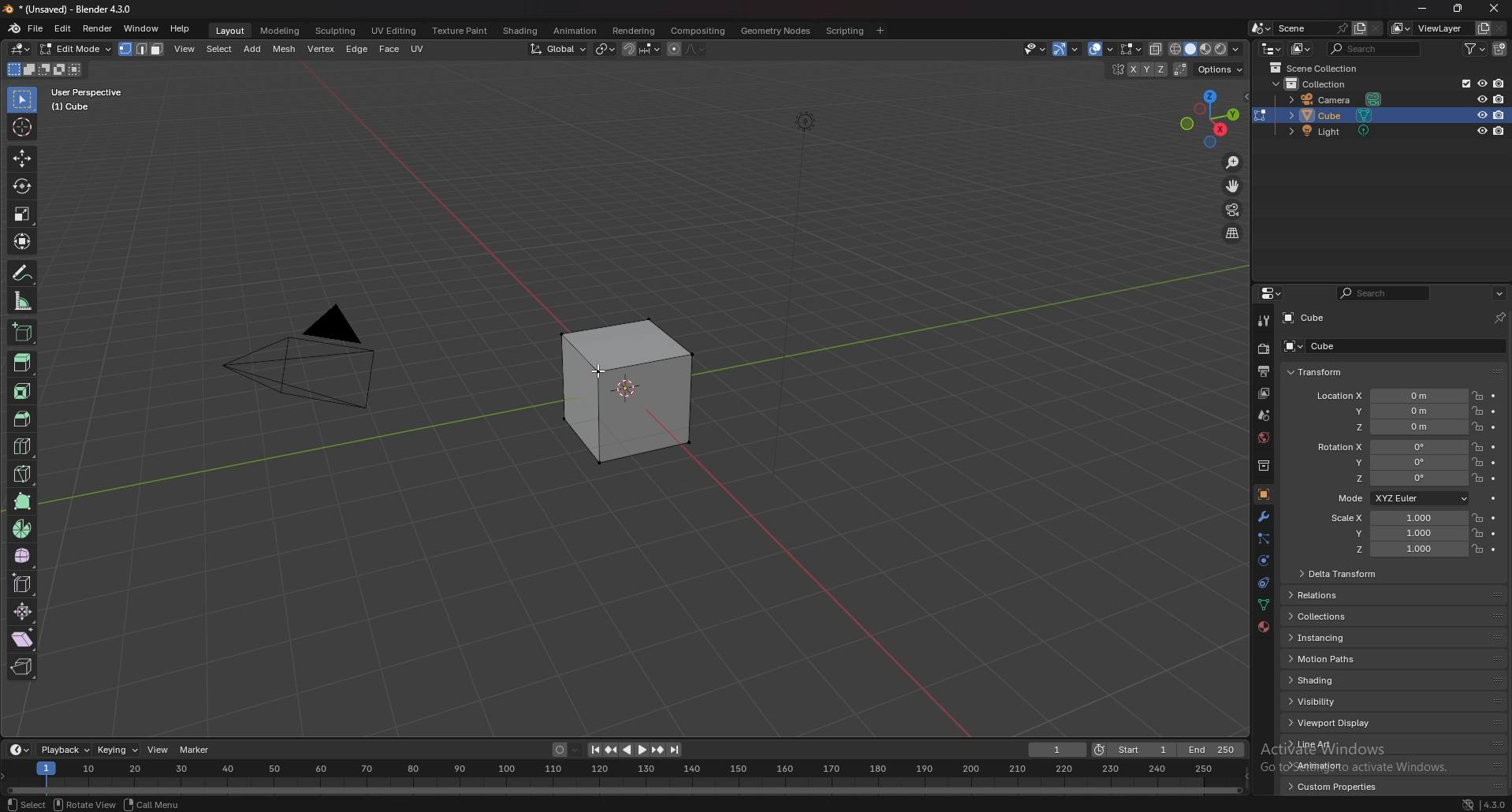  What do you see at coordinates (21, 49) in the screenshot?
I see `editor type` at bounding box center [21, 49].